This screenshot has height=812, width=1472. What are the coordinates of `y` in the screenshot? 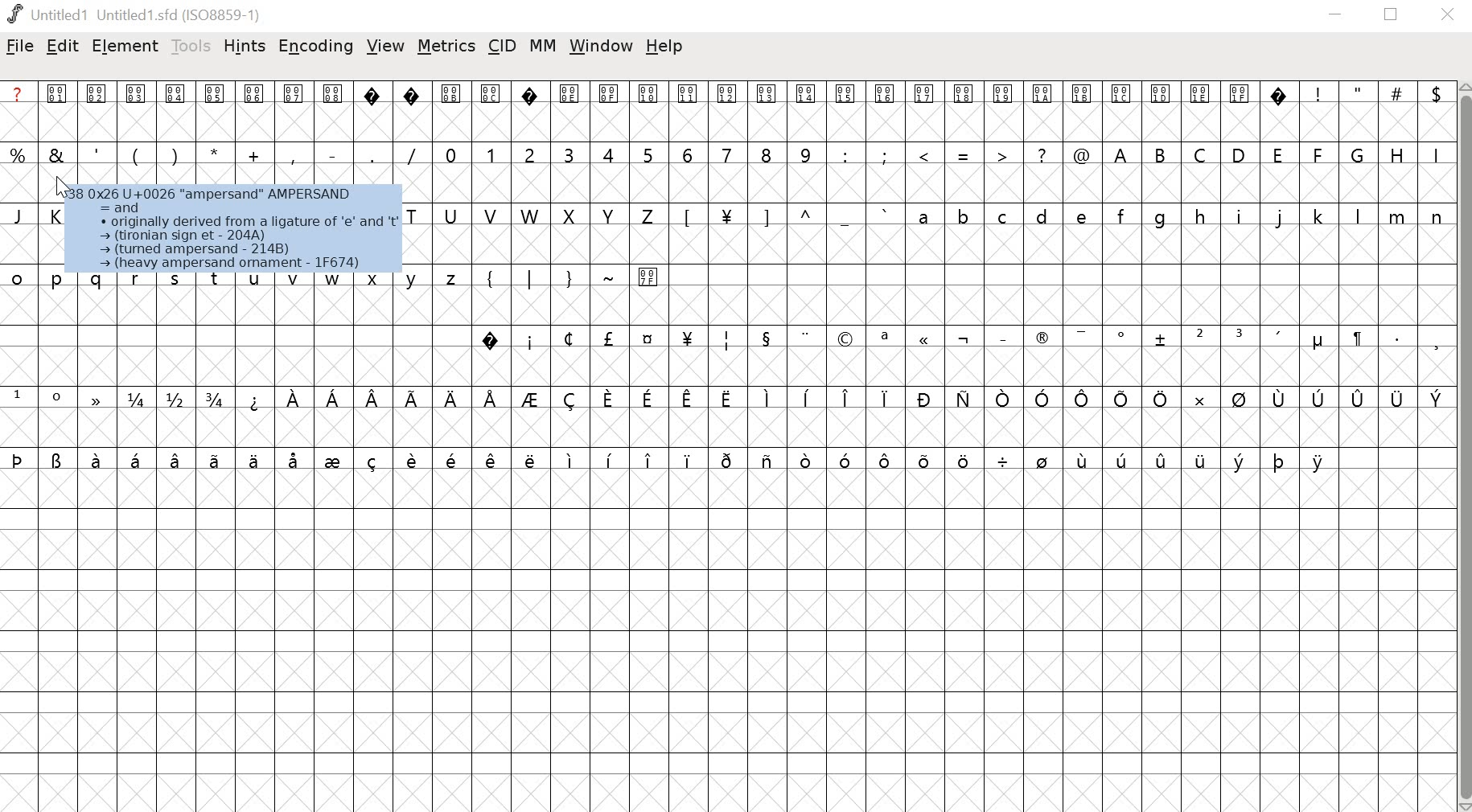 It's located at (415, 278).